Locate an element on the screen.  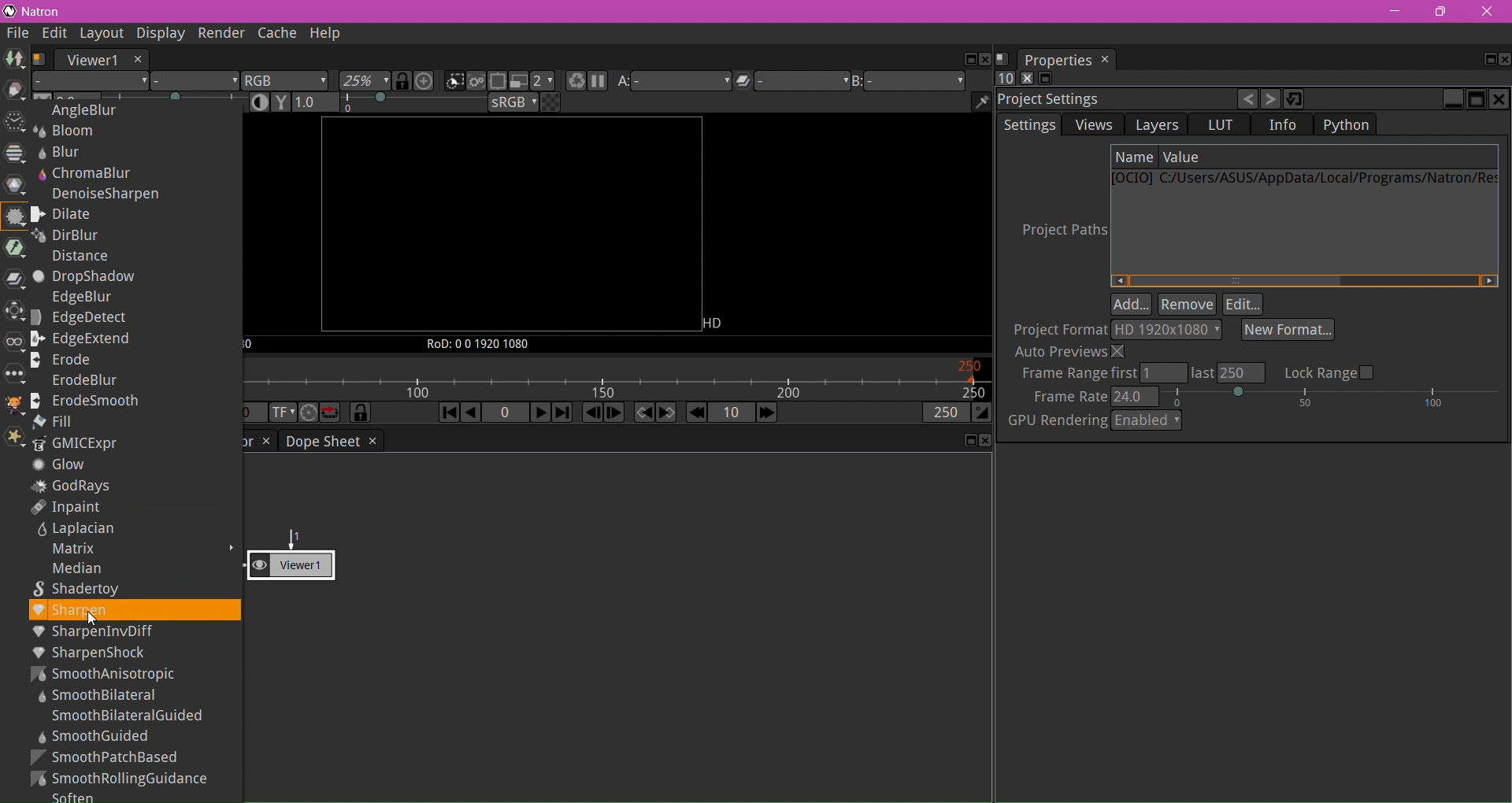
Float pane is located at coordinates (967, 60).